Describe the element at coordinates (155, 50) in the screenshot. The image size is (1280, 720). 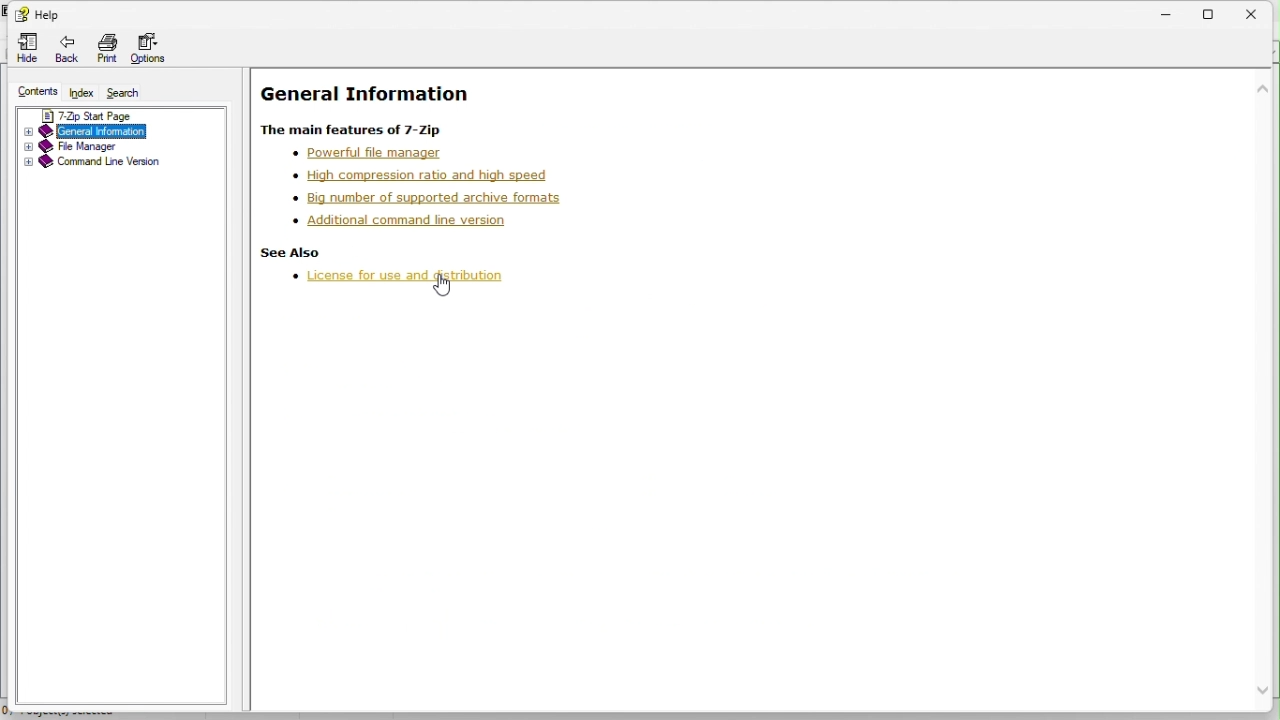
I see `Options` at that location.